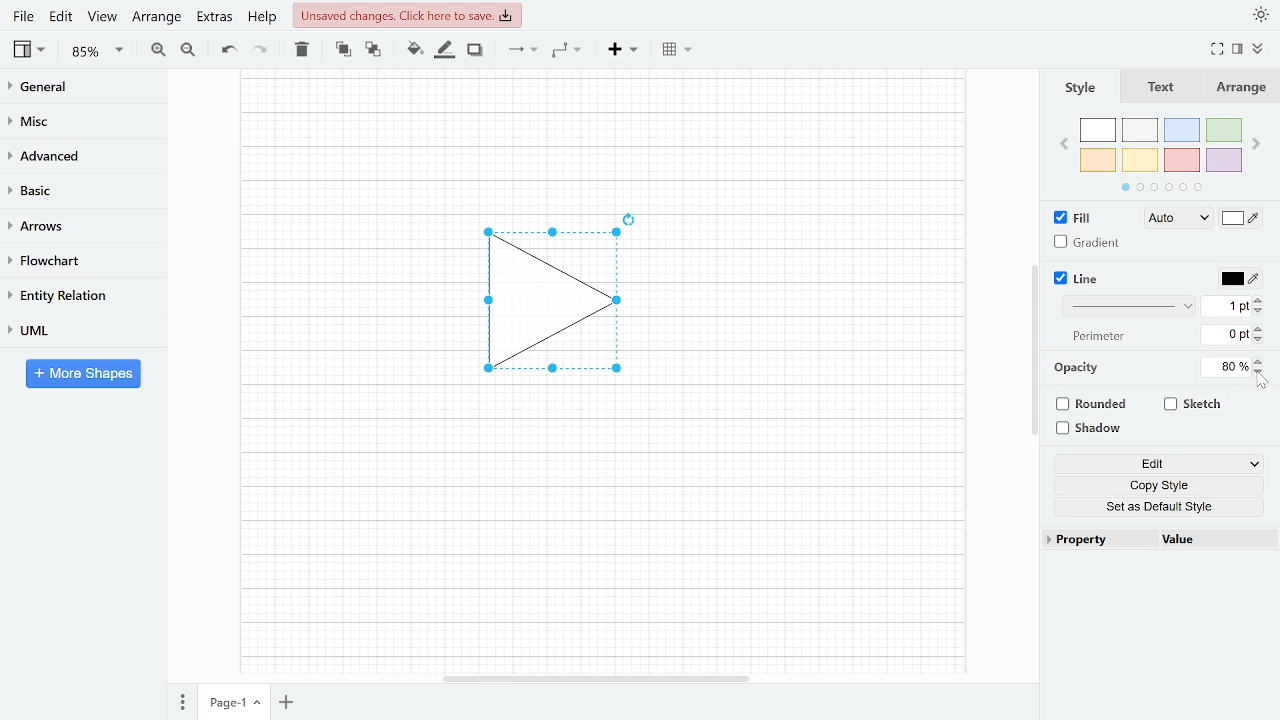 The height and width of the screenshot is (720, 1280). I want to click on vertical scrollbar, so click(1034, 350).